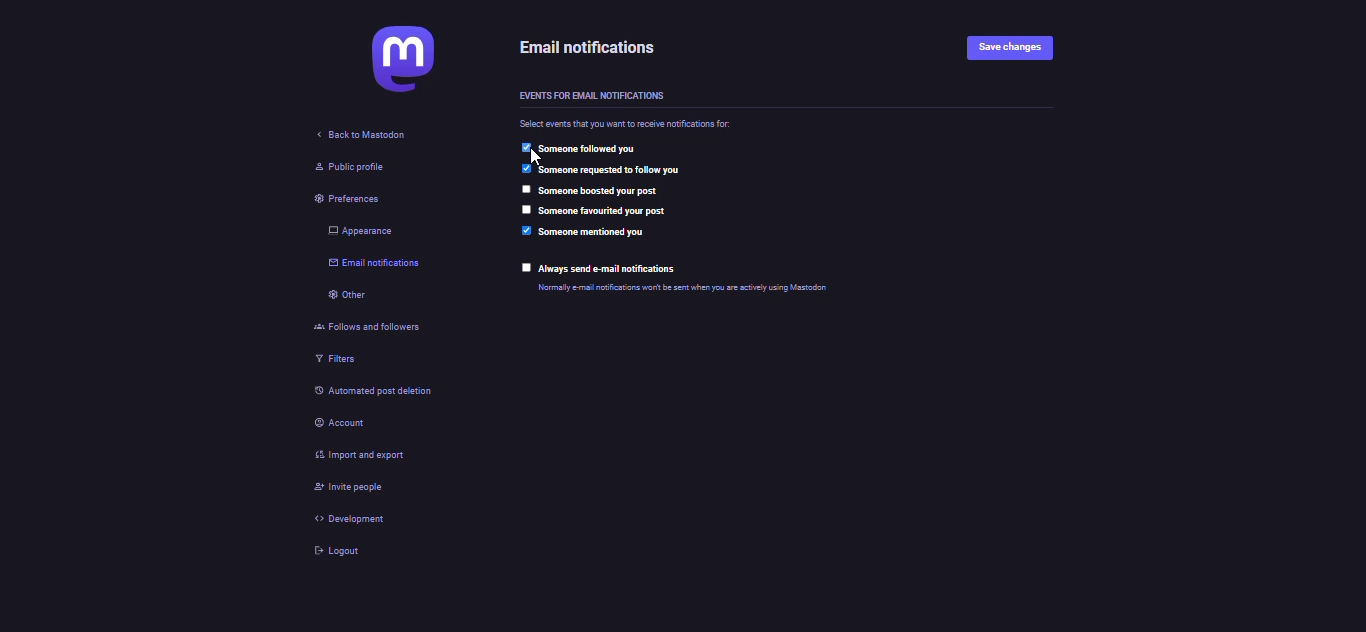 The image size is (1366, 632). I want to click on someone mentioned you, so click(593, 233).